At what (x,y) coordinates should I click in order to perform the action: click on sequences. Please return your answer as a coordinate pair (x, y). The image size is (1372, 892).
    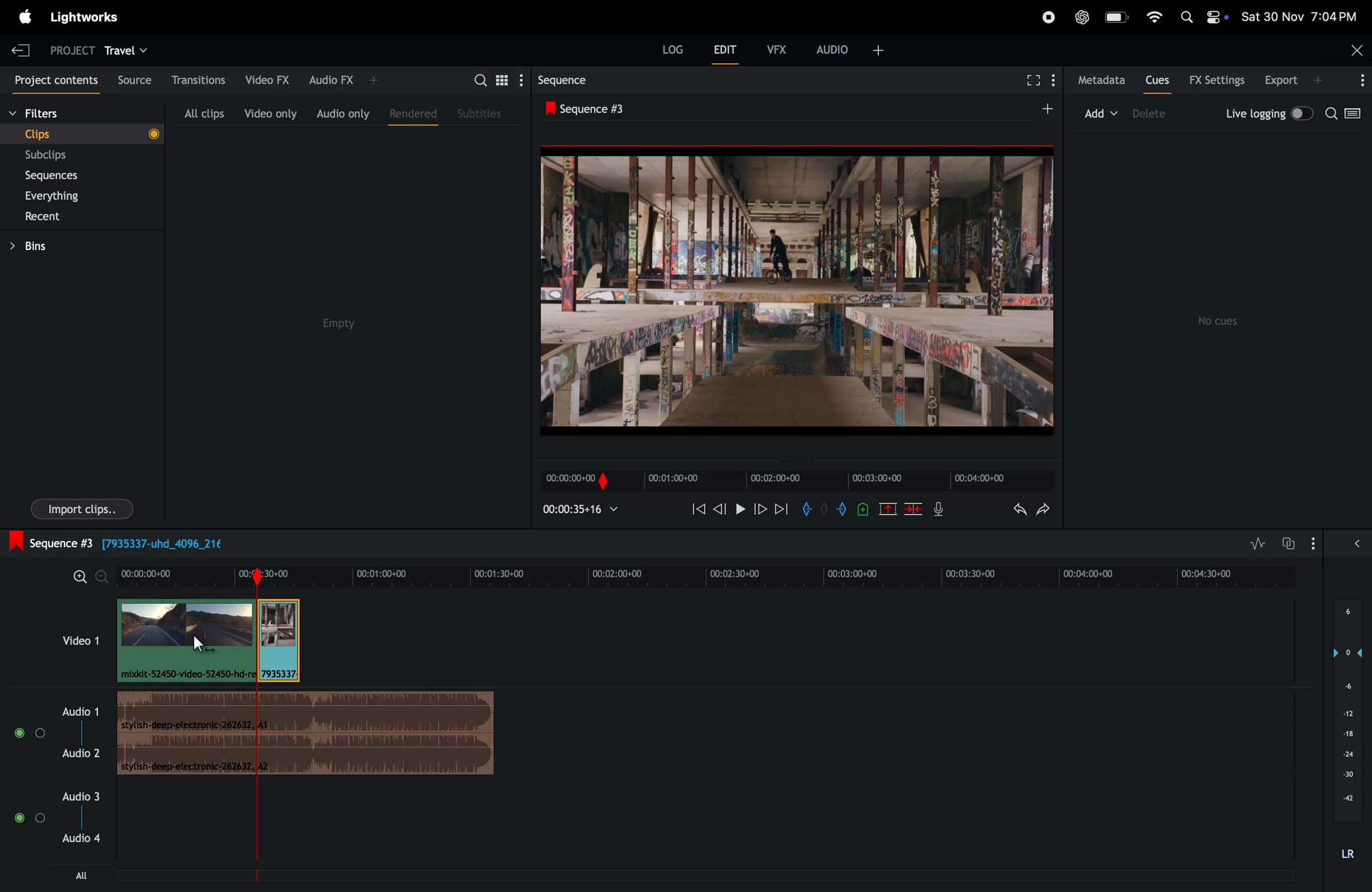
    Looking at the image, I should click on (63, 176).